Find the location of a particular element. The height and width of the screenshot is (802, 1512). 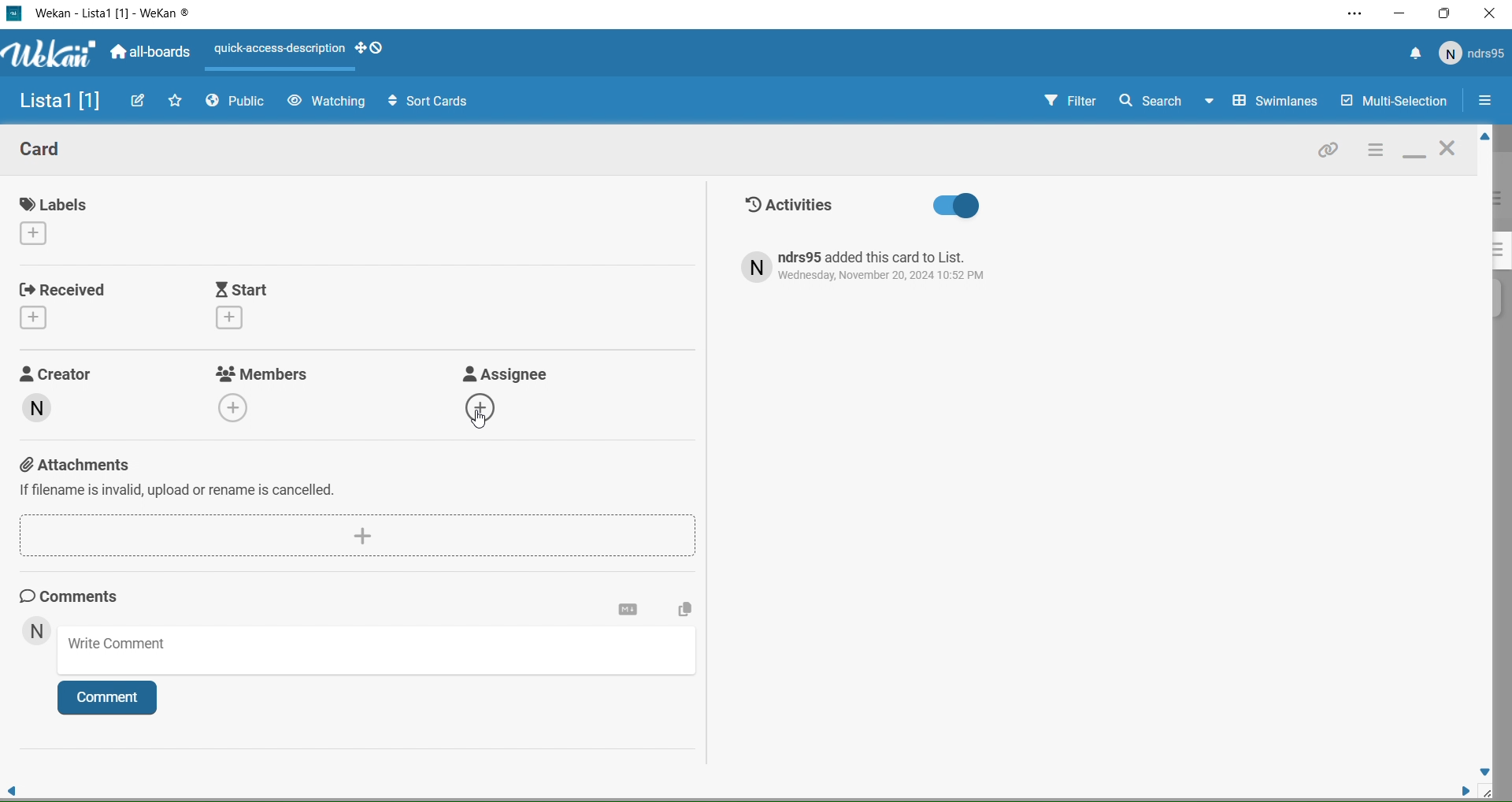

Attachments is located at coordinates (348, 482).